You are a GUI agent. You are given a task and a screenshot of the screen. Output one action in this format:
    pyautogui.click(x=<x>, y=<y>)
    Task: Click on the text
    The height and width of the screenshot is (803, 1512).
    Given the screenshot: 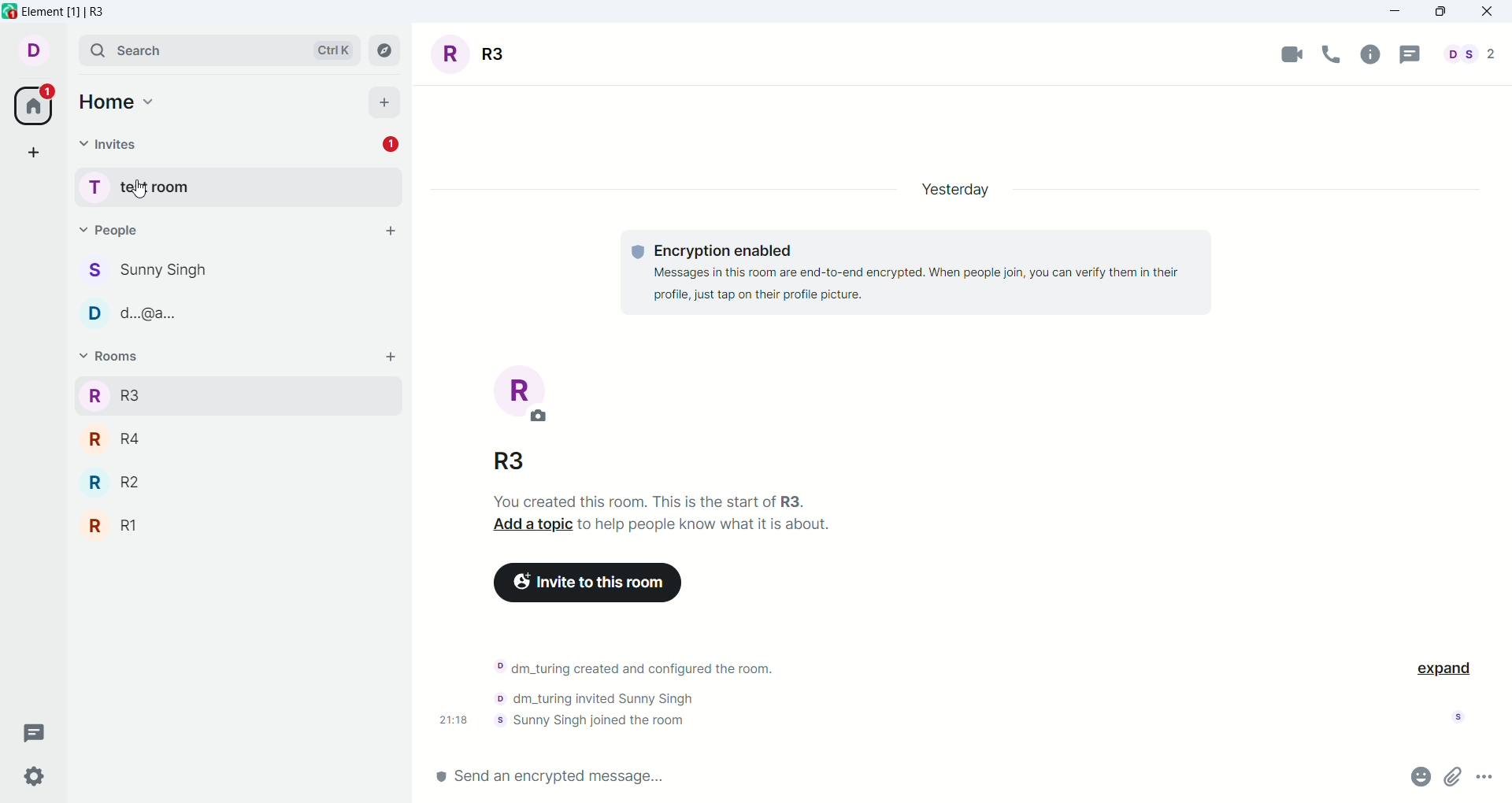 What is the action you would take?
    pyautogui.click(x=654, y=694)
    